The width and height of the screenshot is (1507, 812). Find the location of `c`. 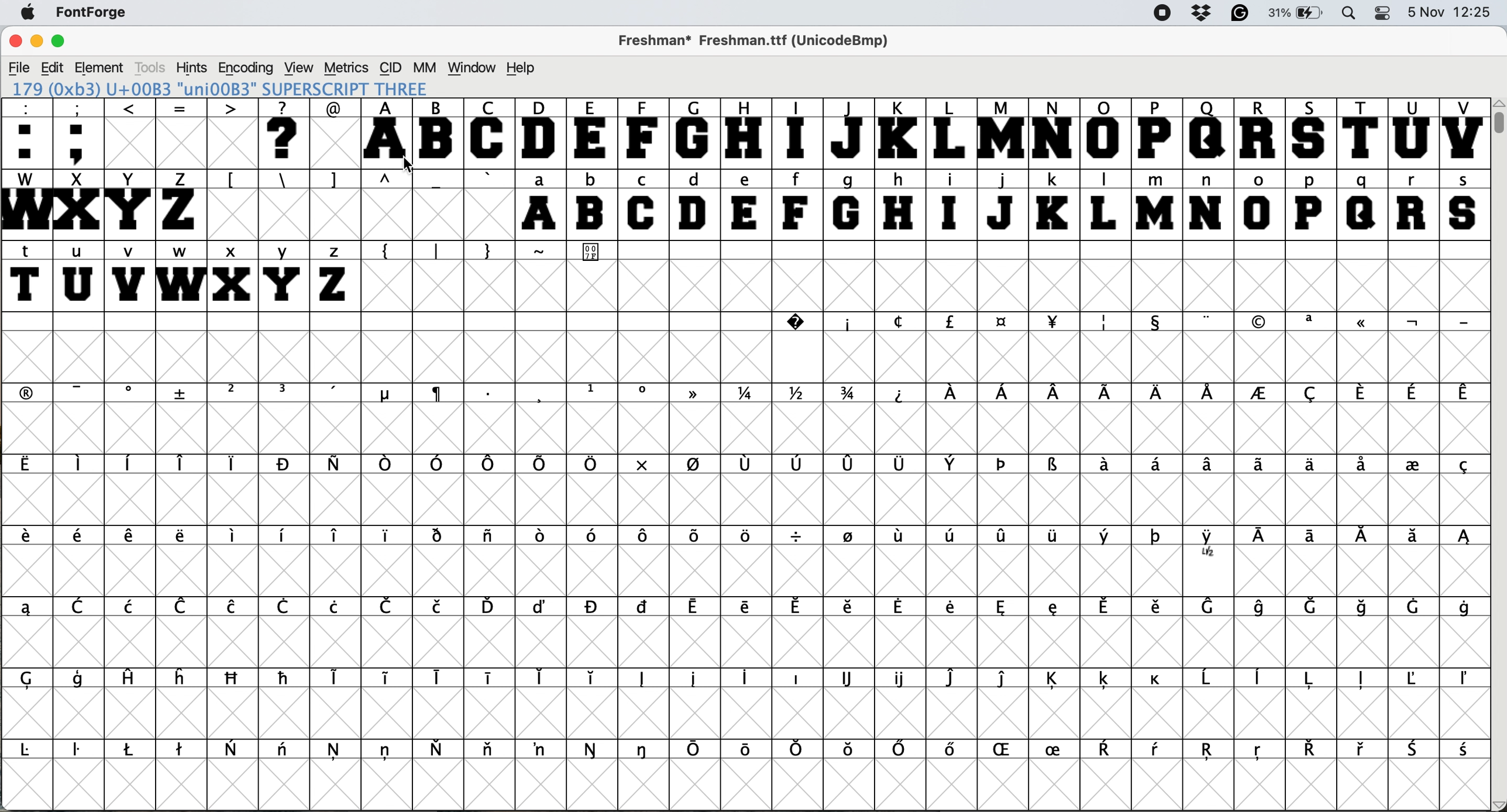

c is located at coordinates (902, 324).